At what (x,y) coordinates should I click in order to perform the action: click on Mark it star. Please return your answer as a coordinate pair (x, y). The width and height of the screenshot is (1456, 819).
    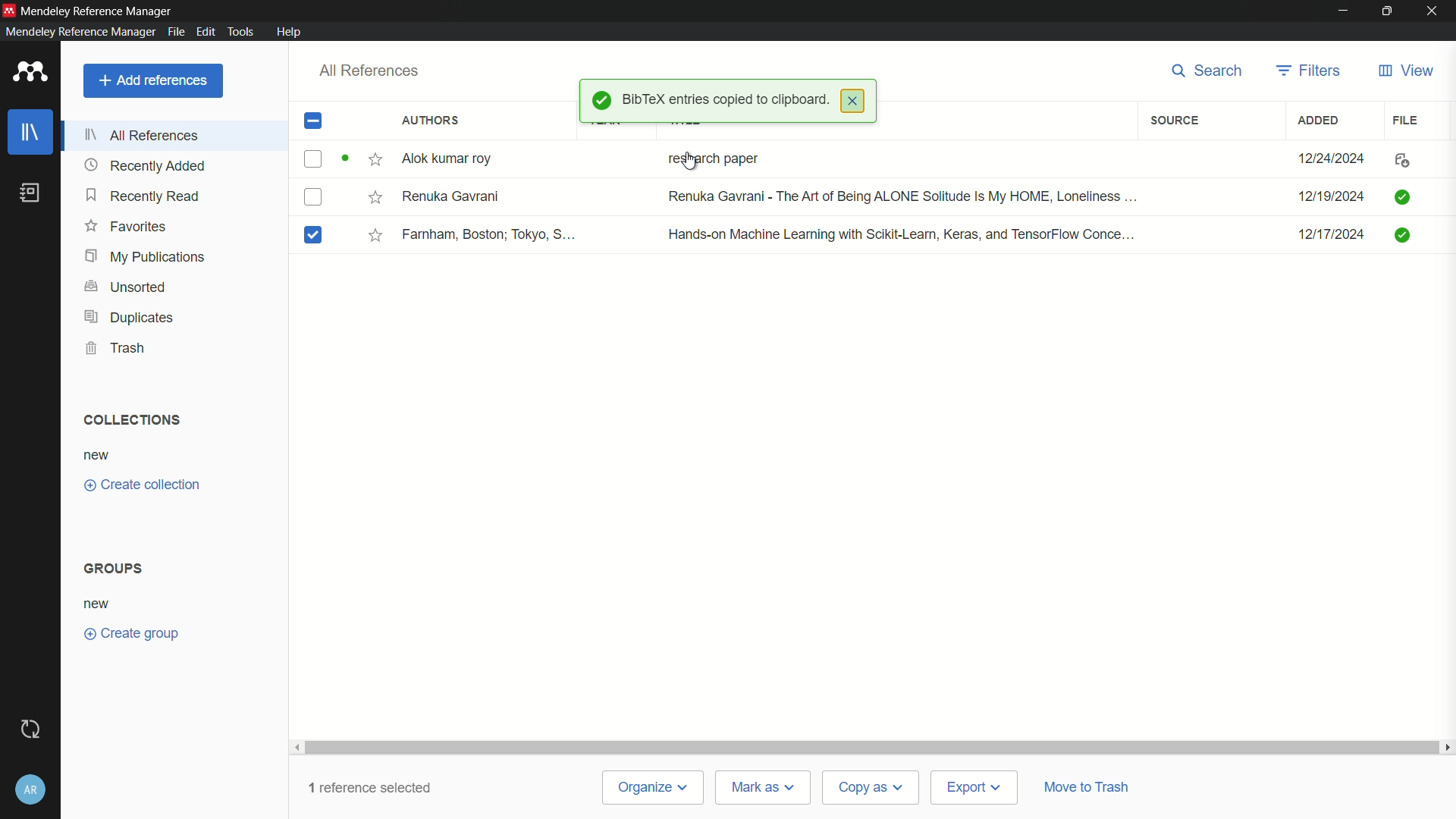
    Looking at the image, I should click on (377, 158).